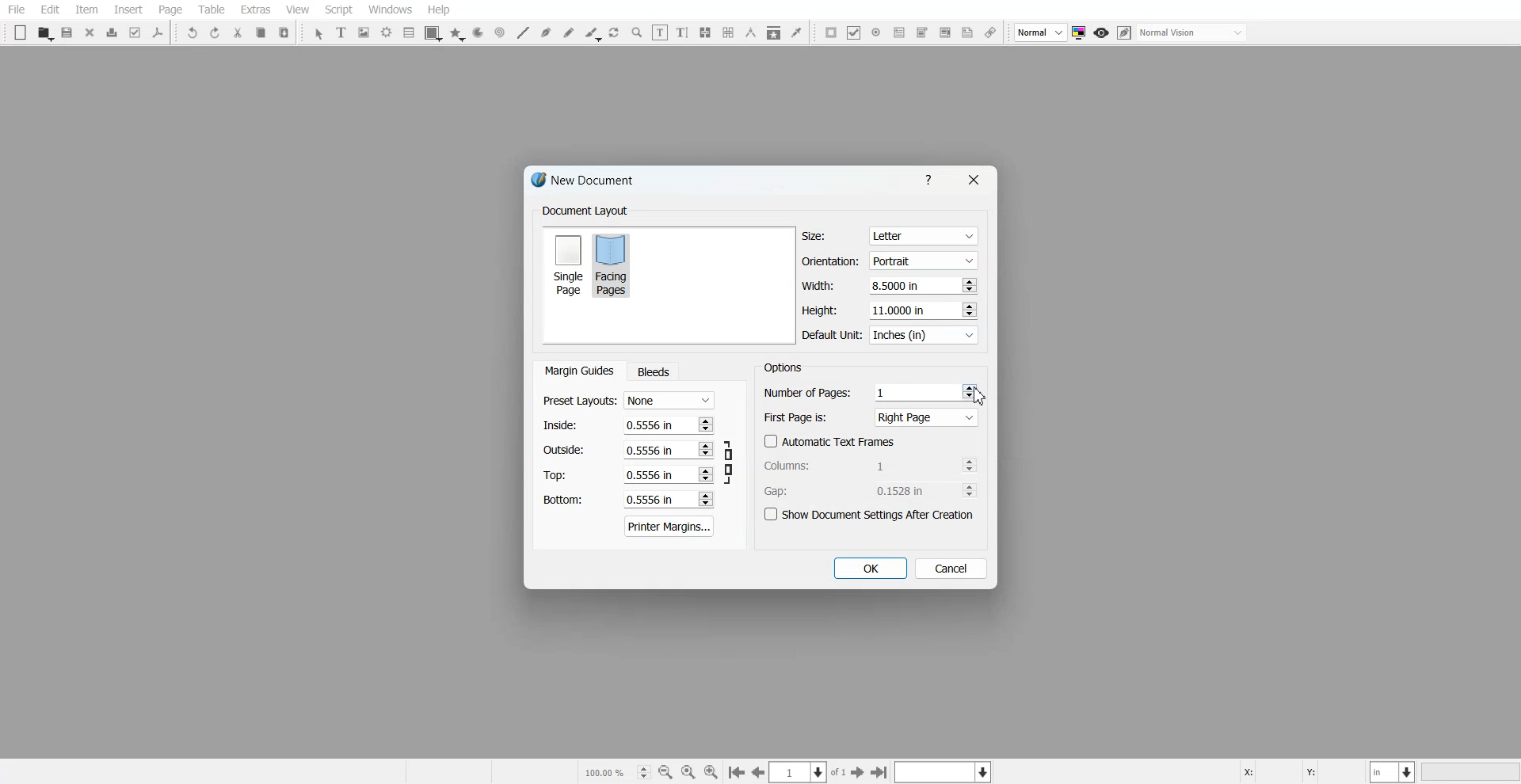  What do you see at coordinates (1302, 771) in the screenshot?
I see `X, Y Co-ordinate` at bounding box center [1302, 771].